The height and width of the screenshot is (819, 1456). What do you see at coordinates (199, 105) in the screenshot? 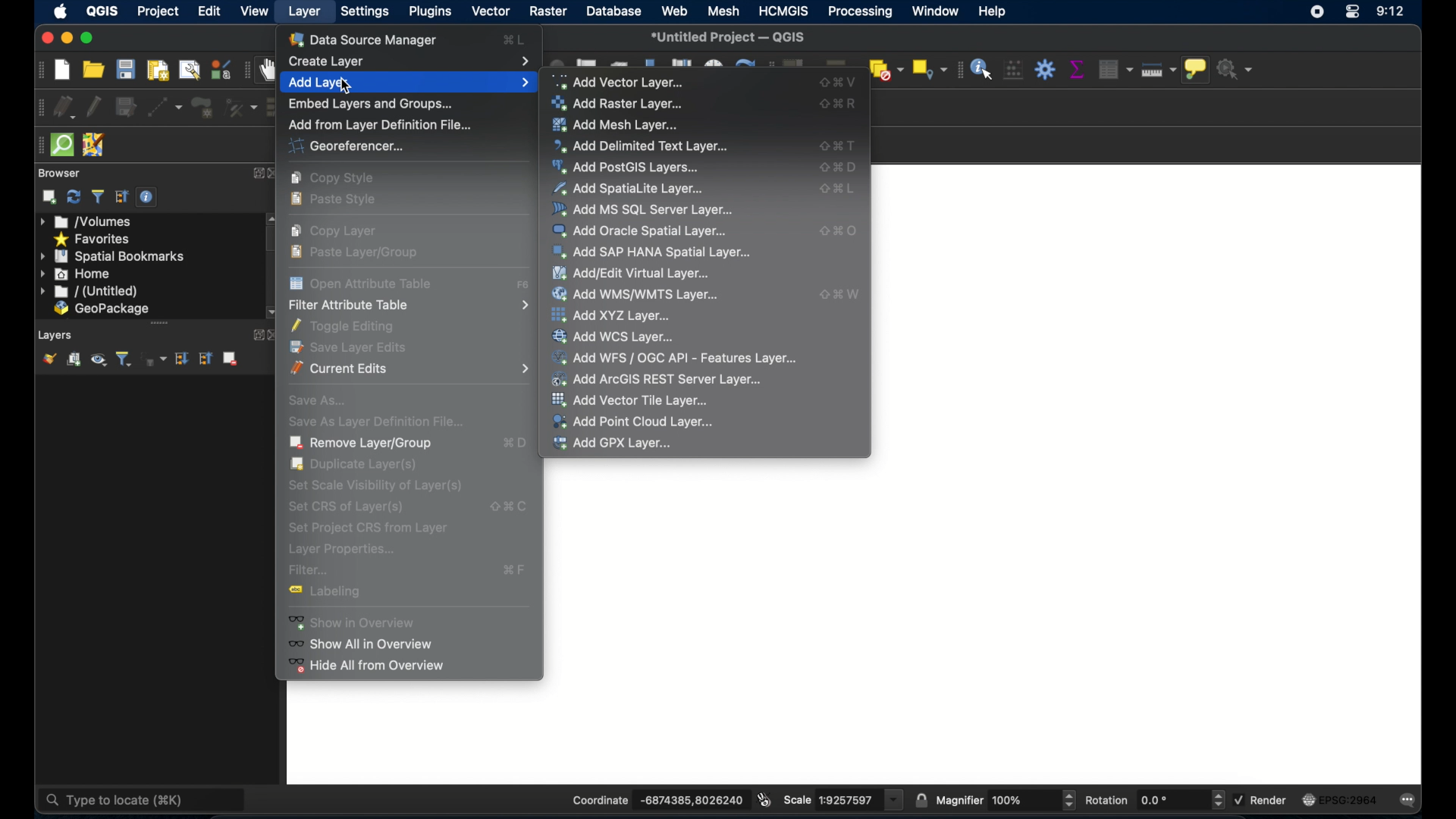
I see `add polygon feature` at bounding box center [199, 105].